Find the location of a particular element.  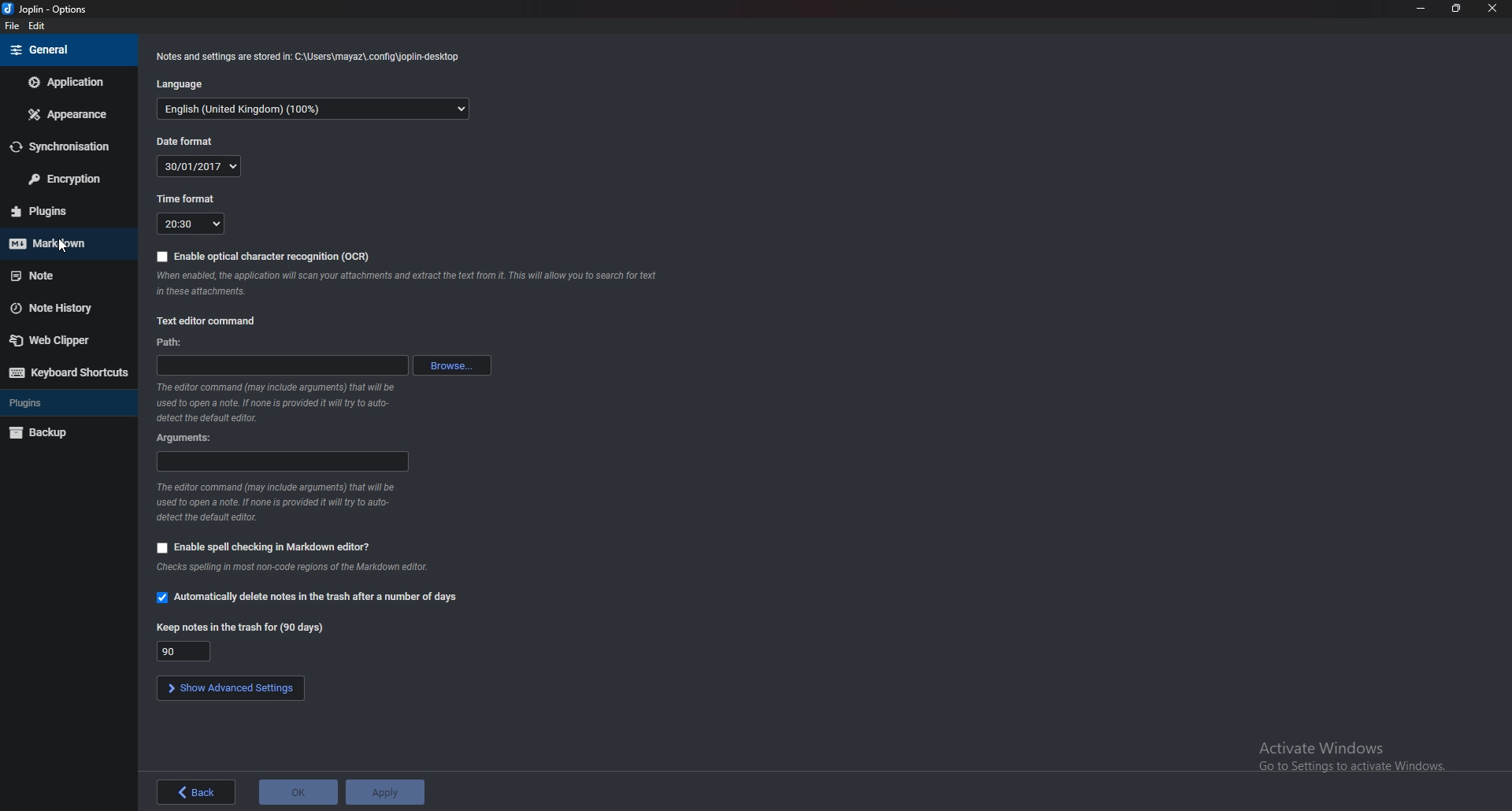

browse is located at coordinates (458, 367).